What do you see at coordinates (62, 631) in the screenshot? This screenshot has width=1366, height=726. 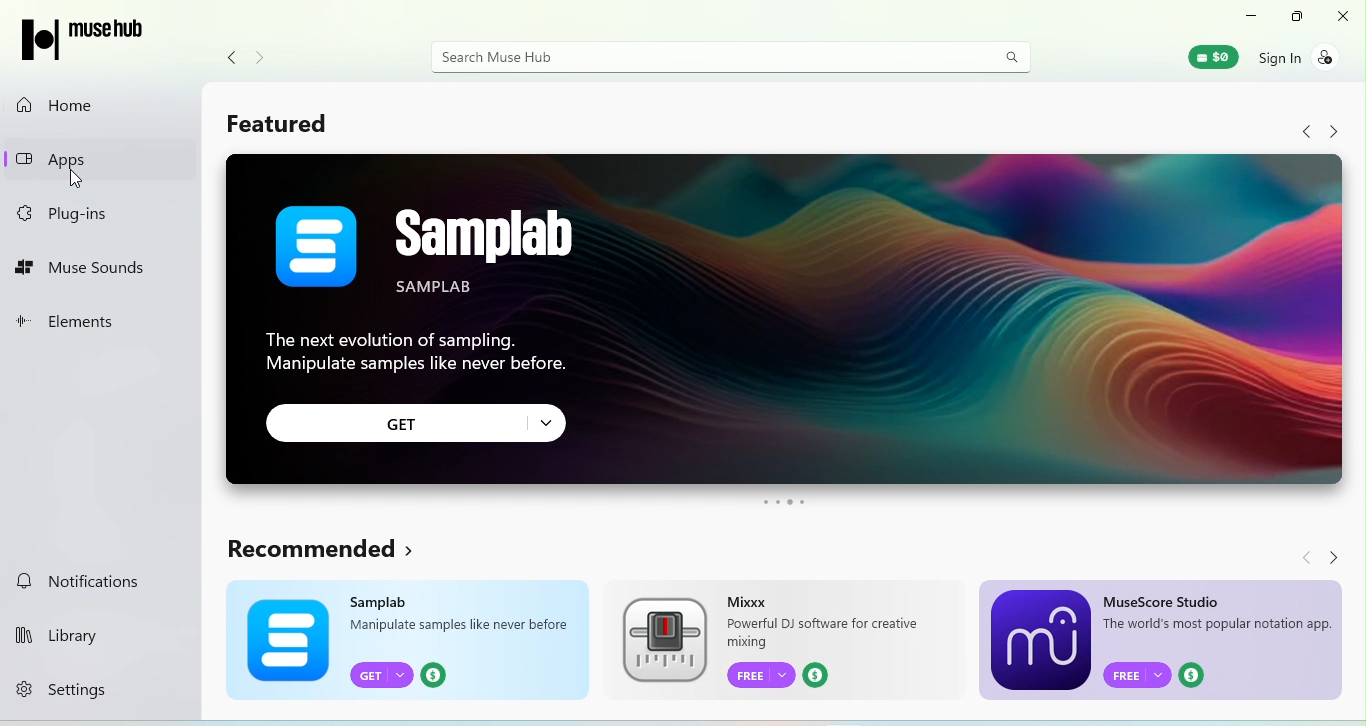 I see `Library` at bounding box center [62, 631].